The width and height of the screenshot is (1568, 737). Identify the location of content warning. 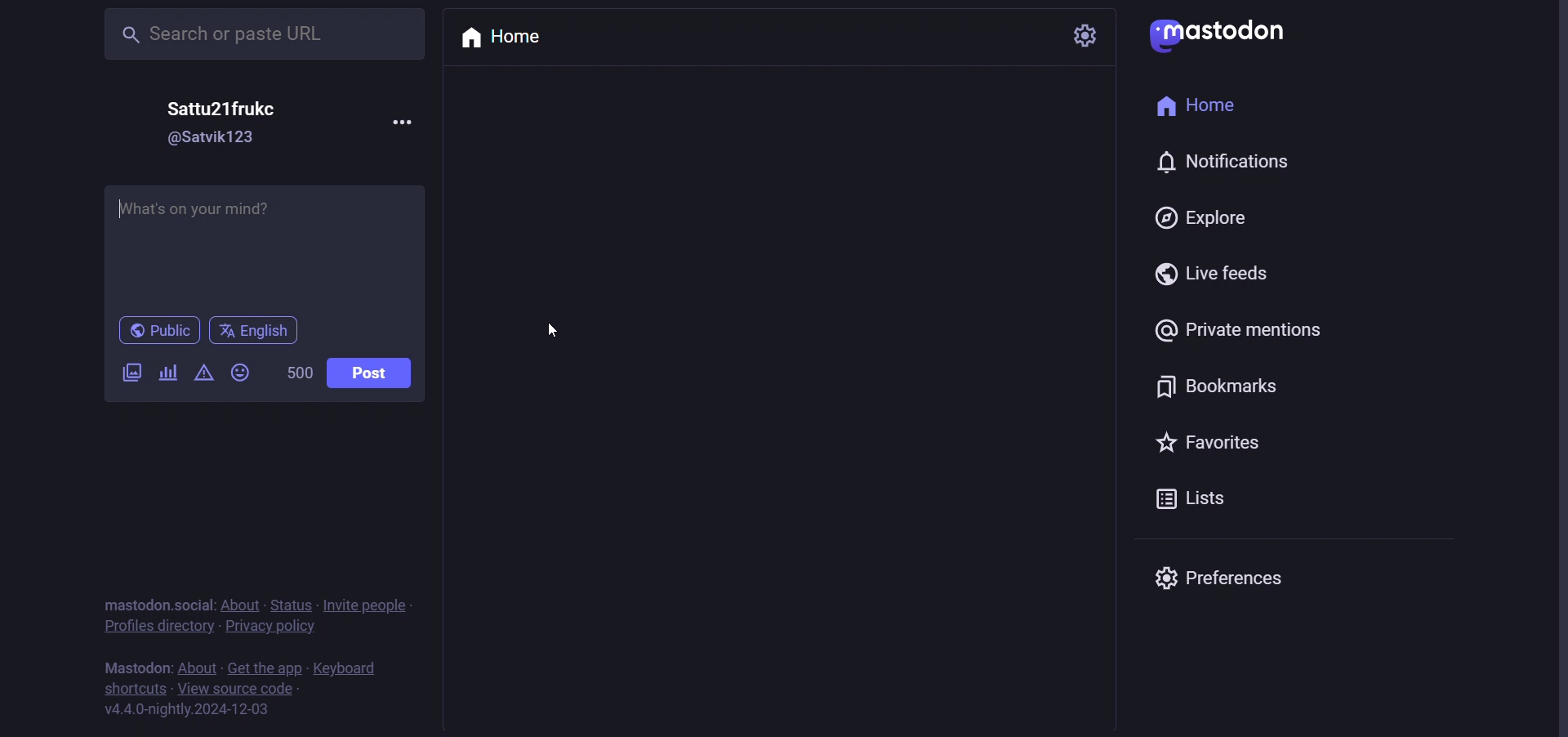
(202, 375).